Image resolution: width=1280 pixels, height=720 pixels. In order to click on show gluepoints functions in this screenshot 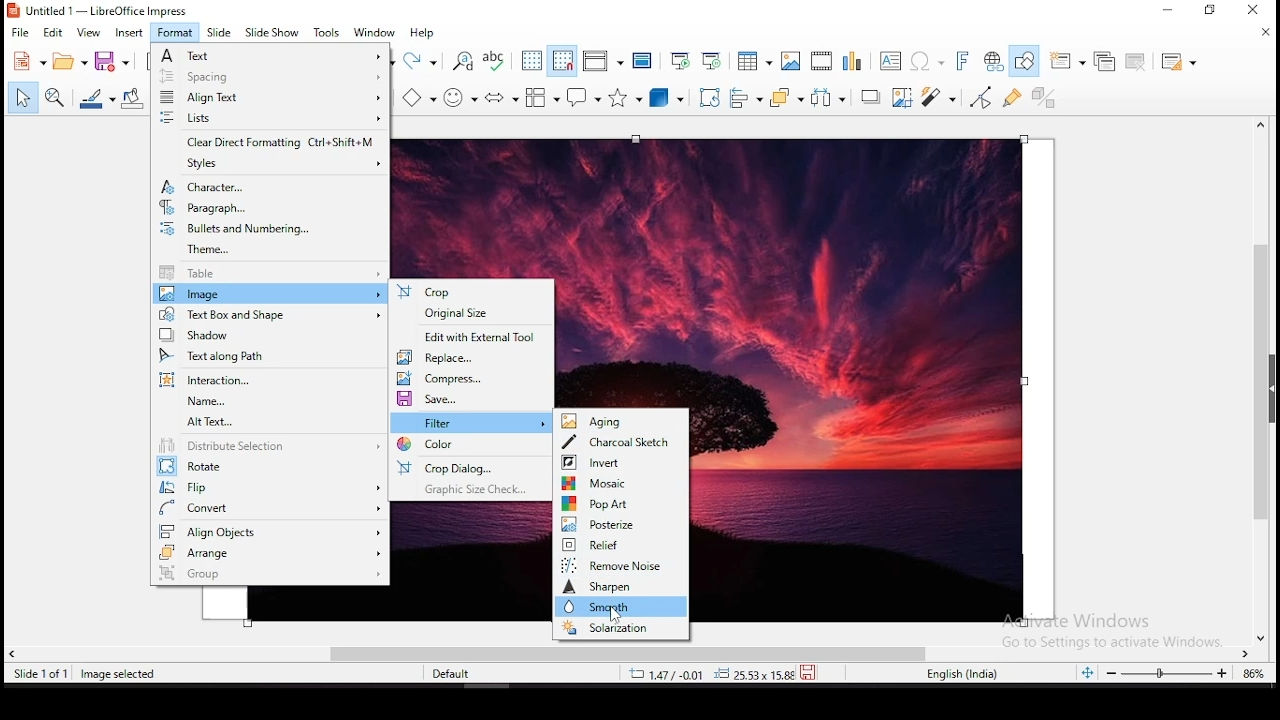, I will do `click(1010, 98)`.